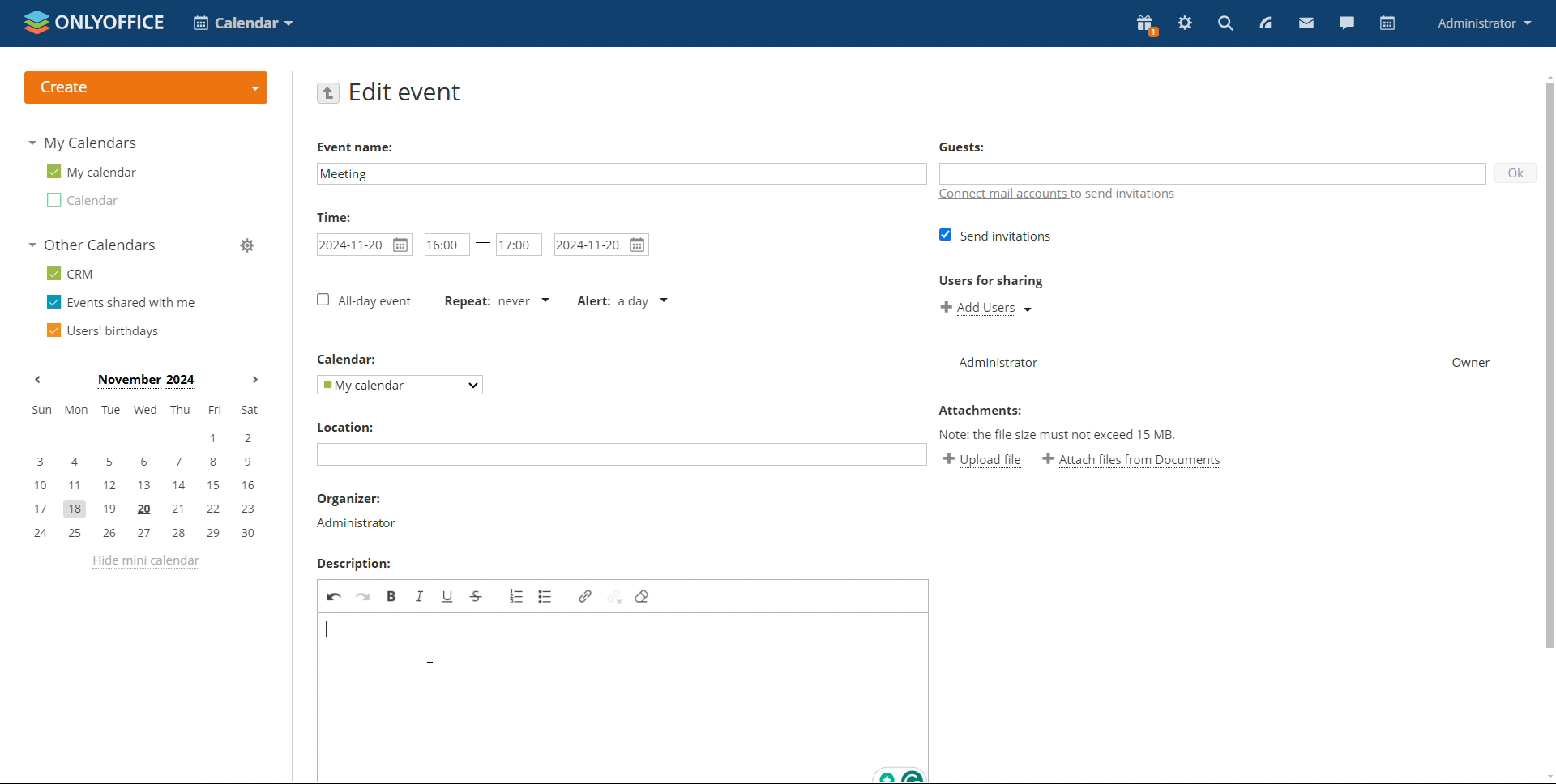  What do you see at coordinates (1546, 776) in the screenshot?
I see `scroll down` at bounding box center [1546, 776].